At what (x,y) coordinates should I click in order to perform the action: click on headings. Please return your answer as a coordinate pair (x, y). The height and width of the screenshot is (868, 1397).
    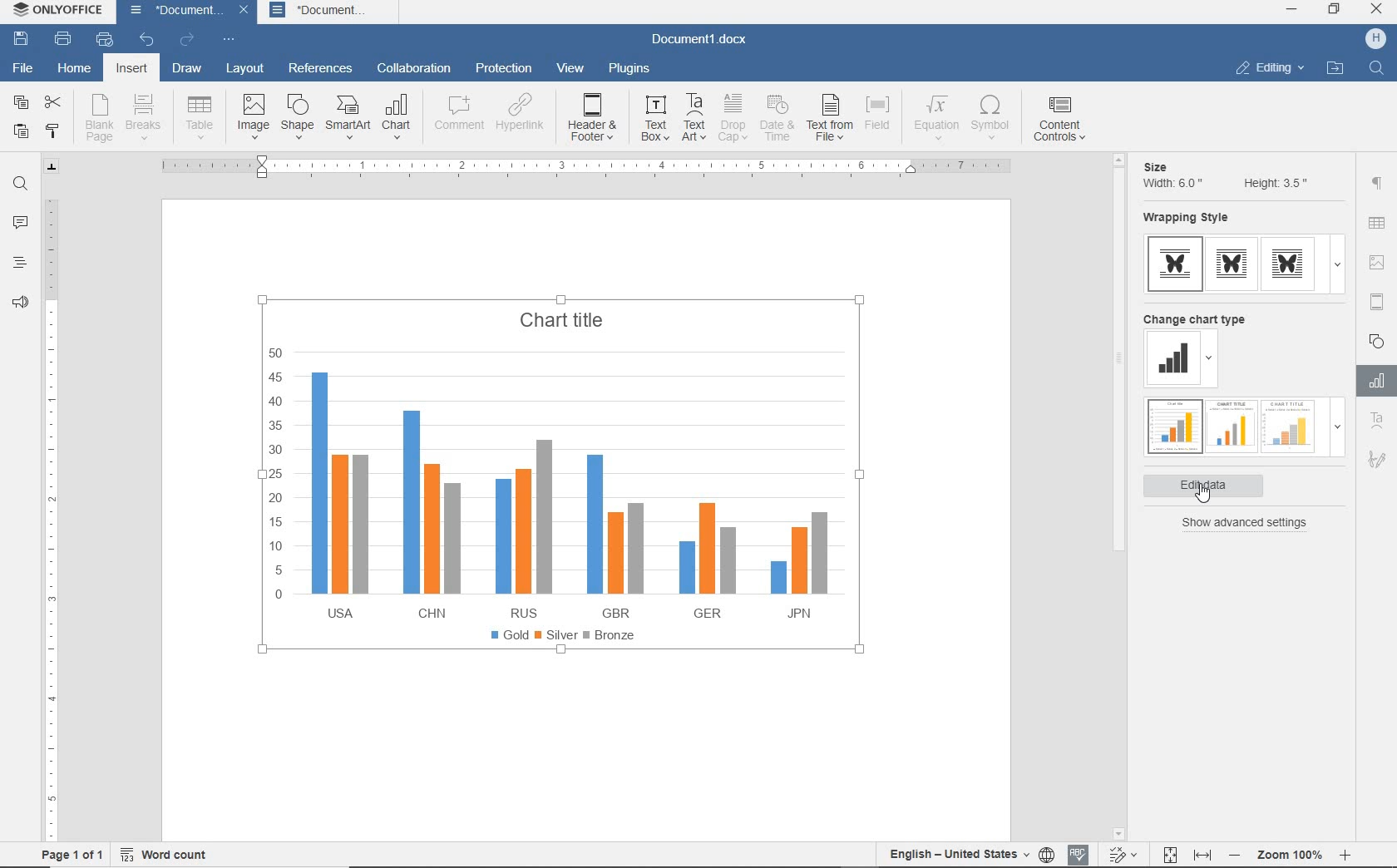
    Looking at the image, I should click on (18, 264).